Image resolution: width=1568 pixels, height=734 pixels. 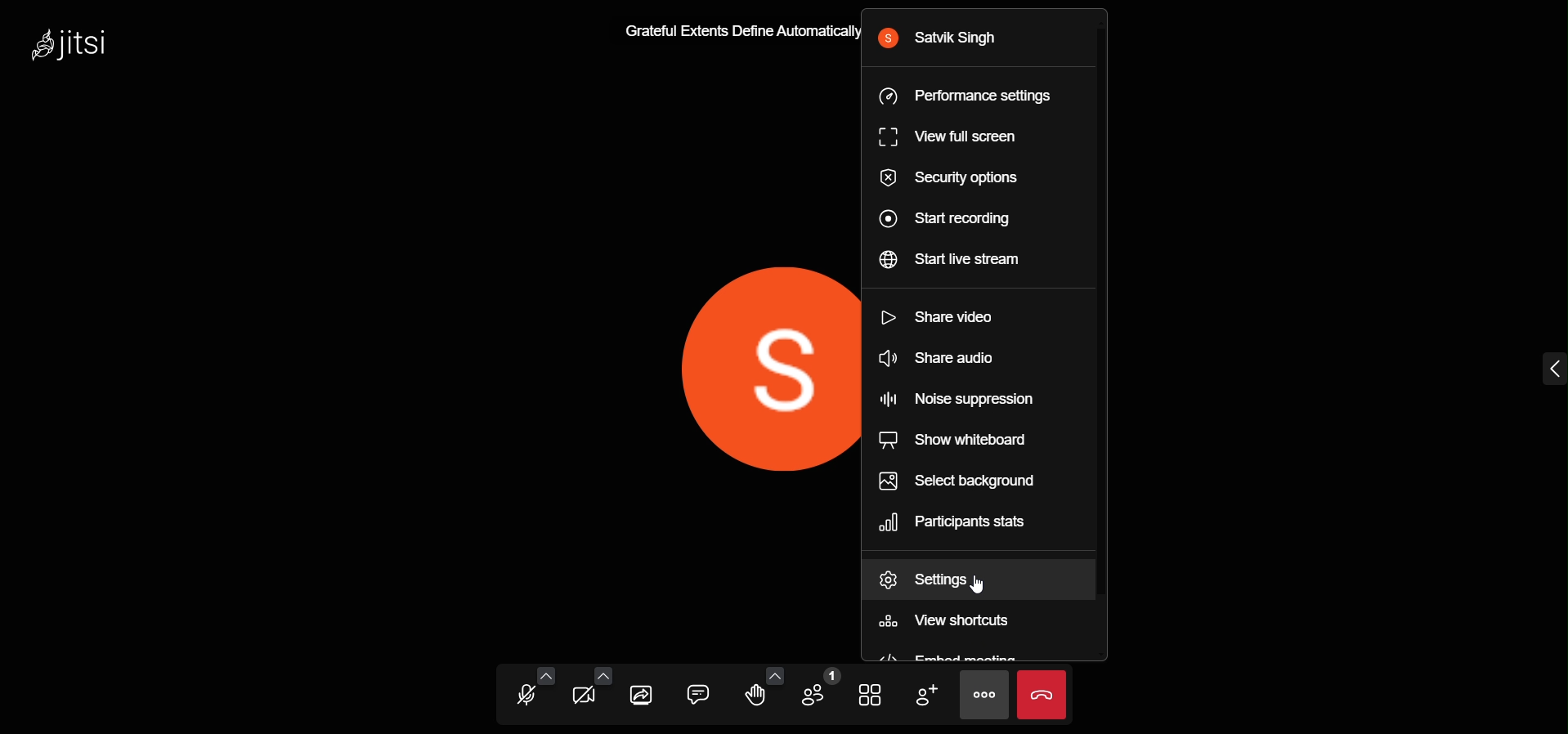 What do you see at coordinates (873, 694) in the screenshot?
I see `tile view` at bounding box center [873, 694].